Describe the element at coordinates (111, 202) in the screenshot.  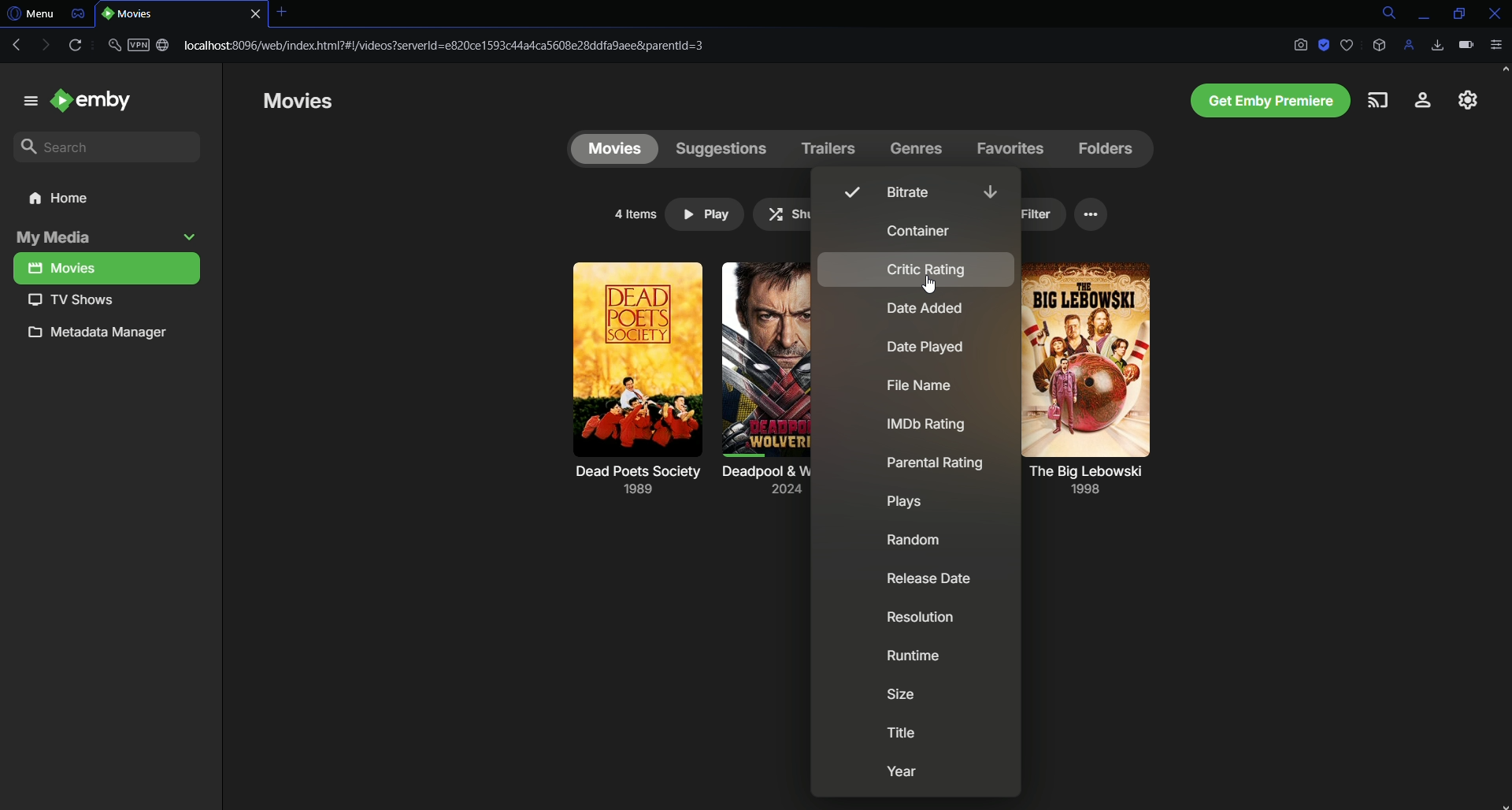
I see `Home` at that location.